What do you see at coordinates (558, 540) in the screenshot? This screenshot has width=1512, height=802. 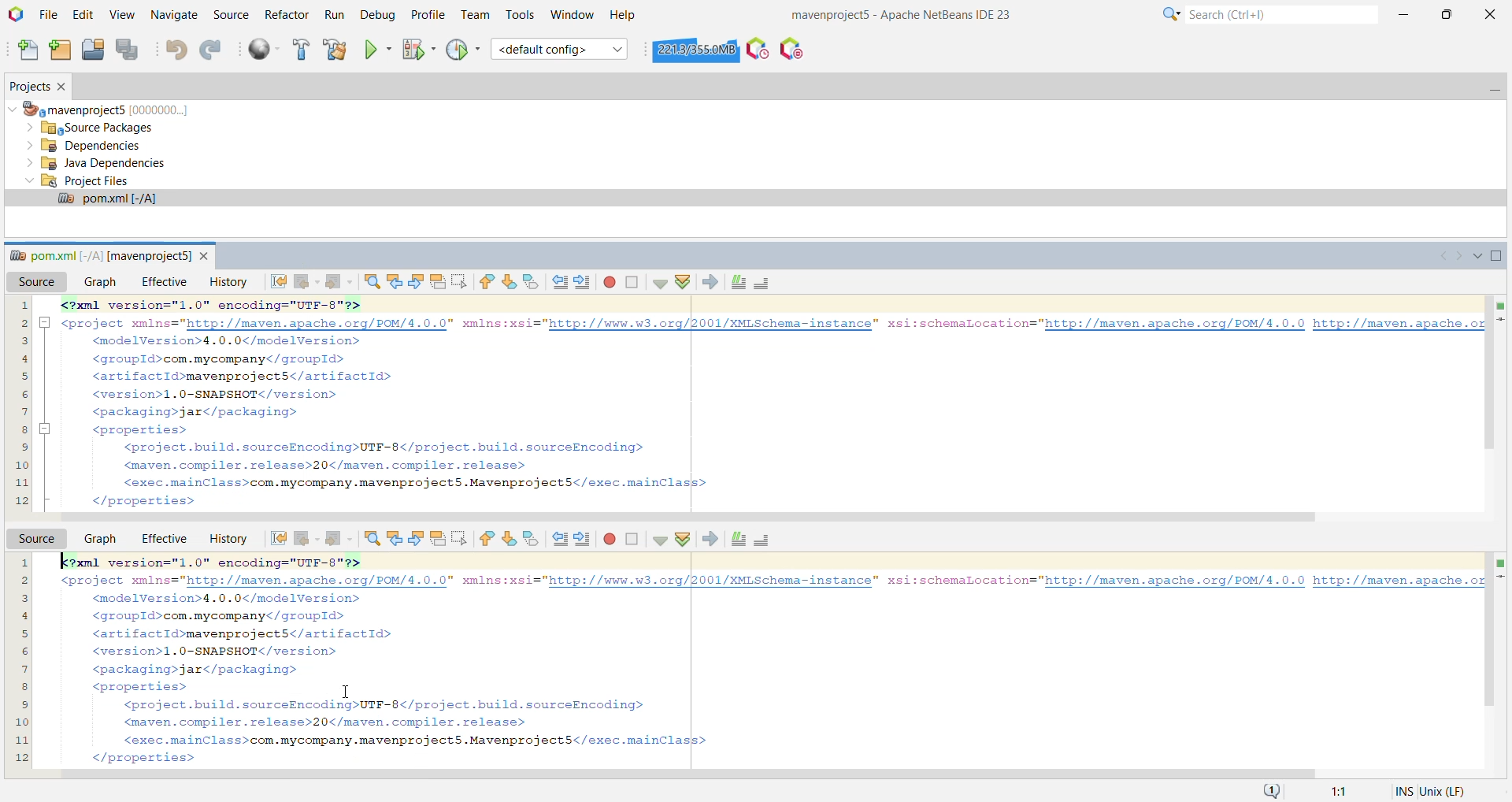 I see `Shift Line Left` at bounding box center [558, 540].